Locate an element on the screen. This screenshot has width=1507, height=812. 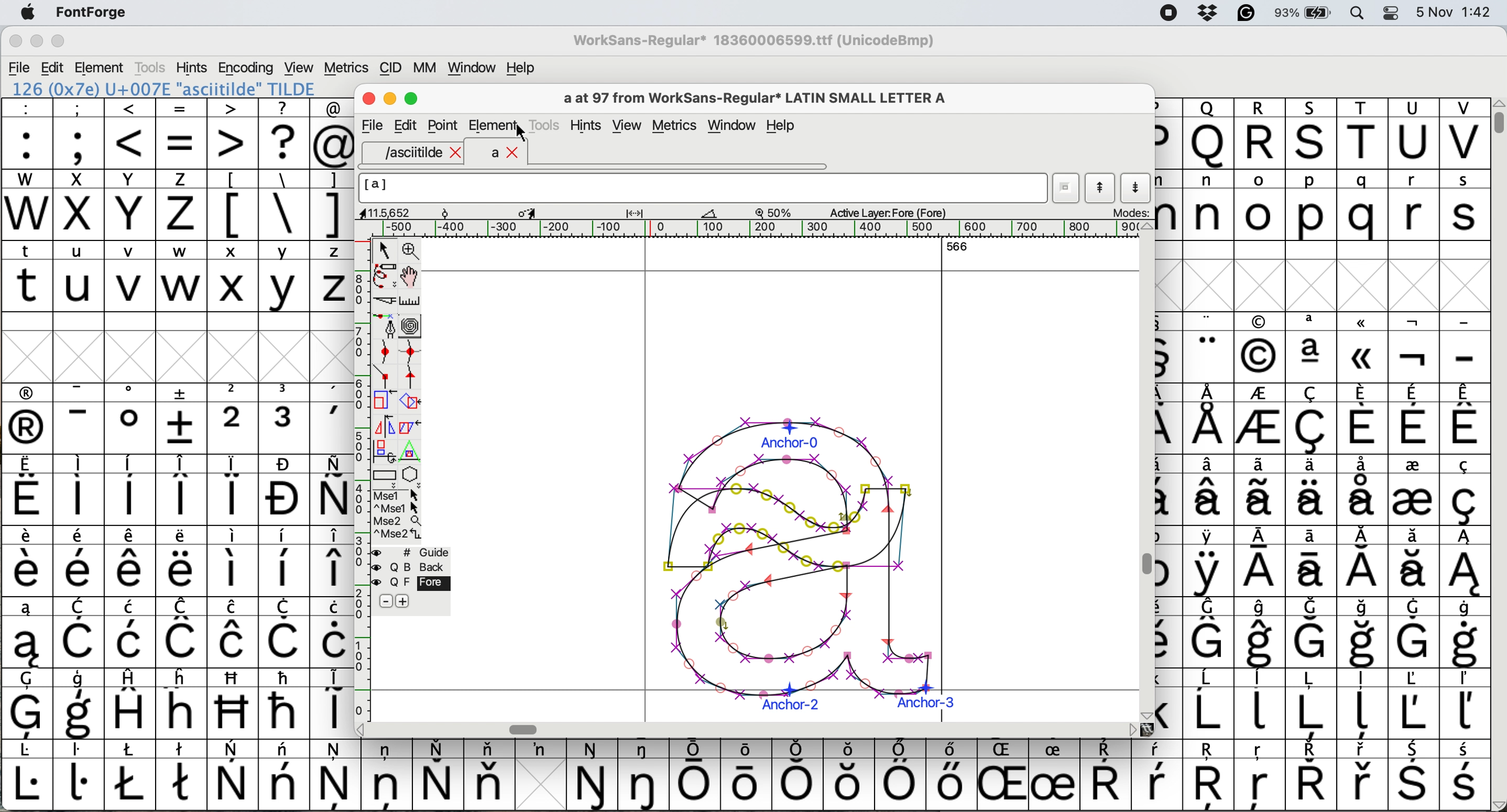
symbol is located at coordinates (1054, 776).